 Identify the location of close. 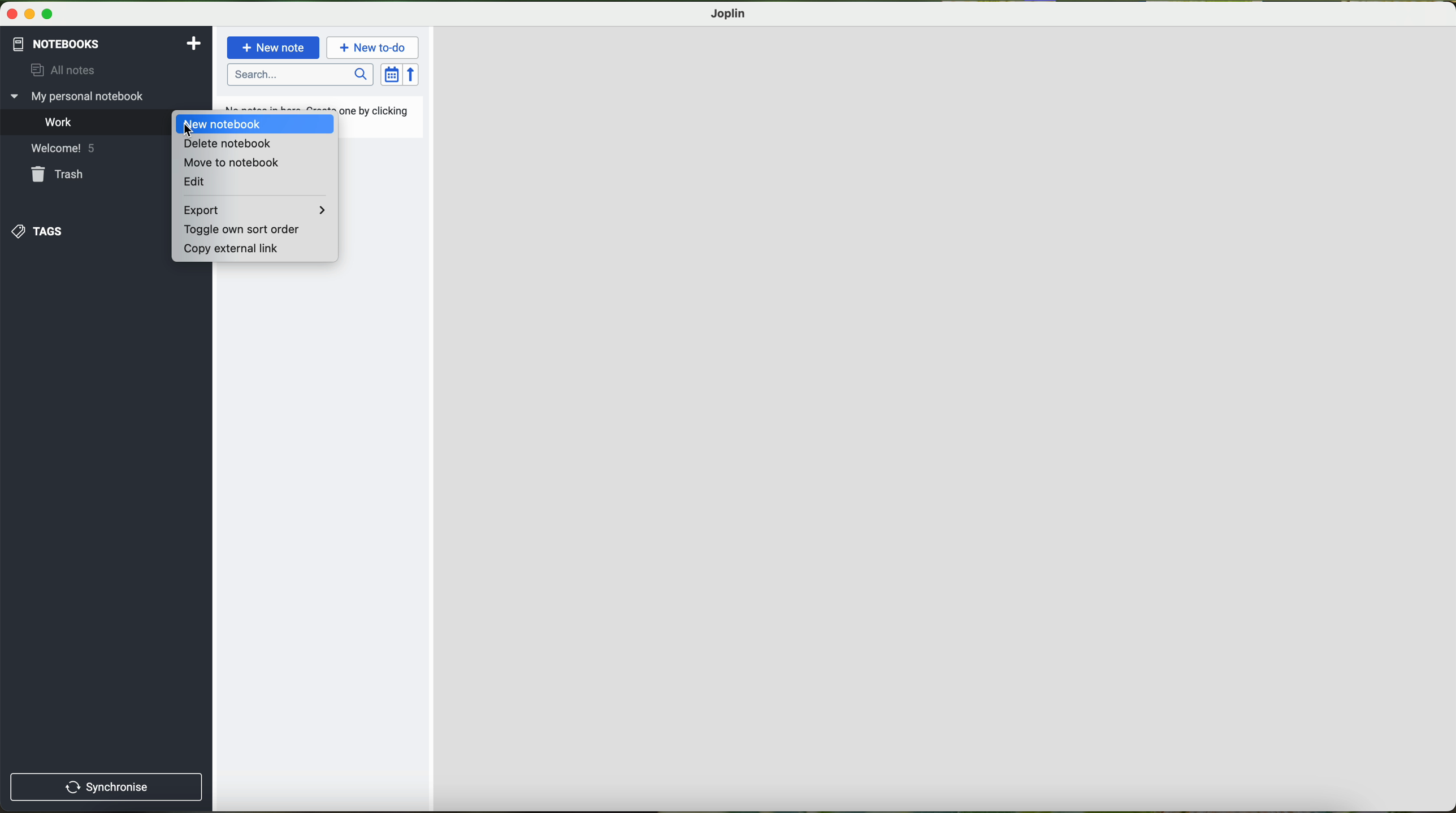
(13, 14).